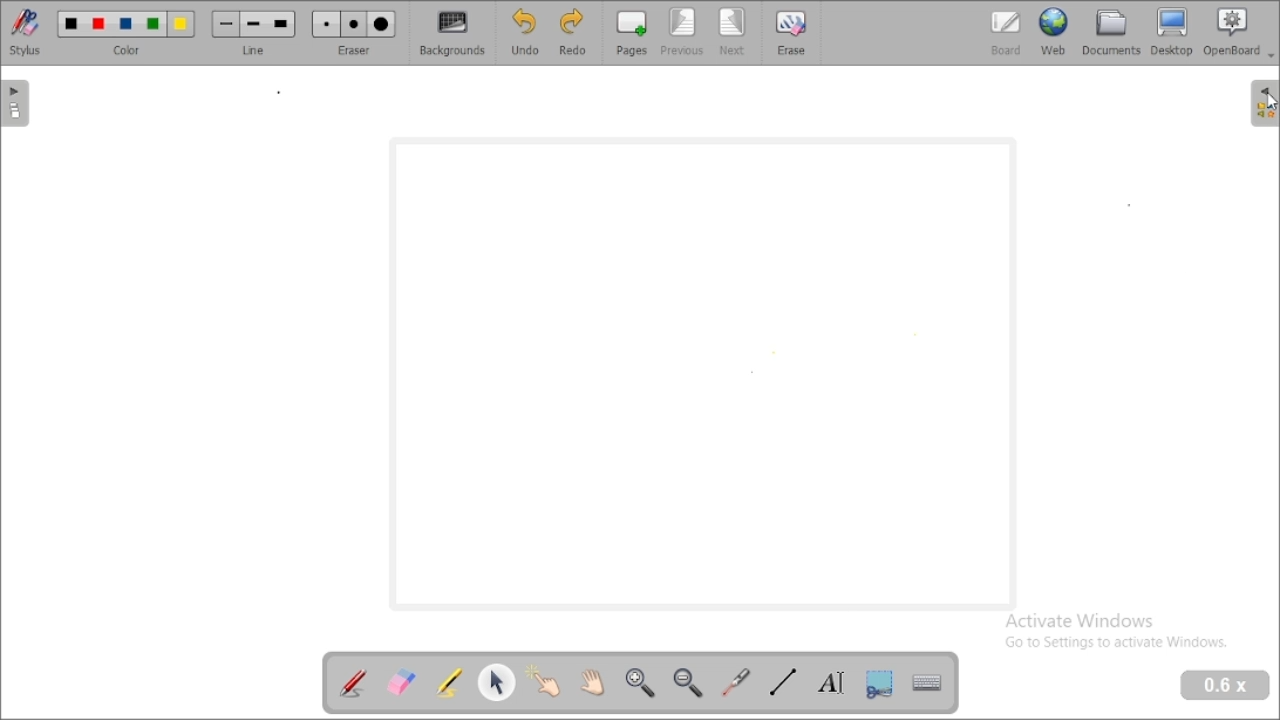 The width and height of the screenshot is (1280, 720). I want to click on select and modify objects, so click(498, 681).